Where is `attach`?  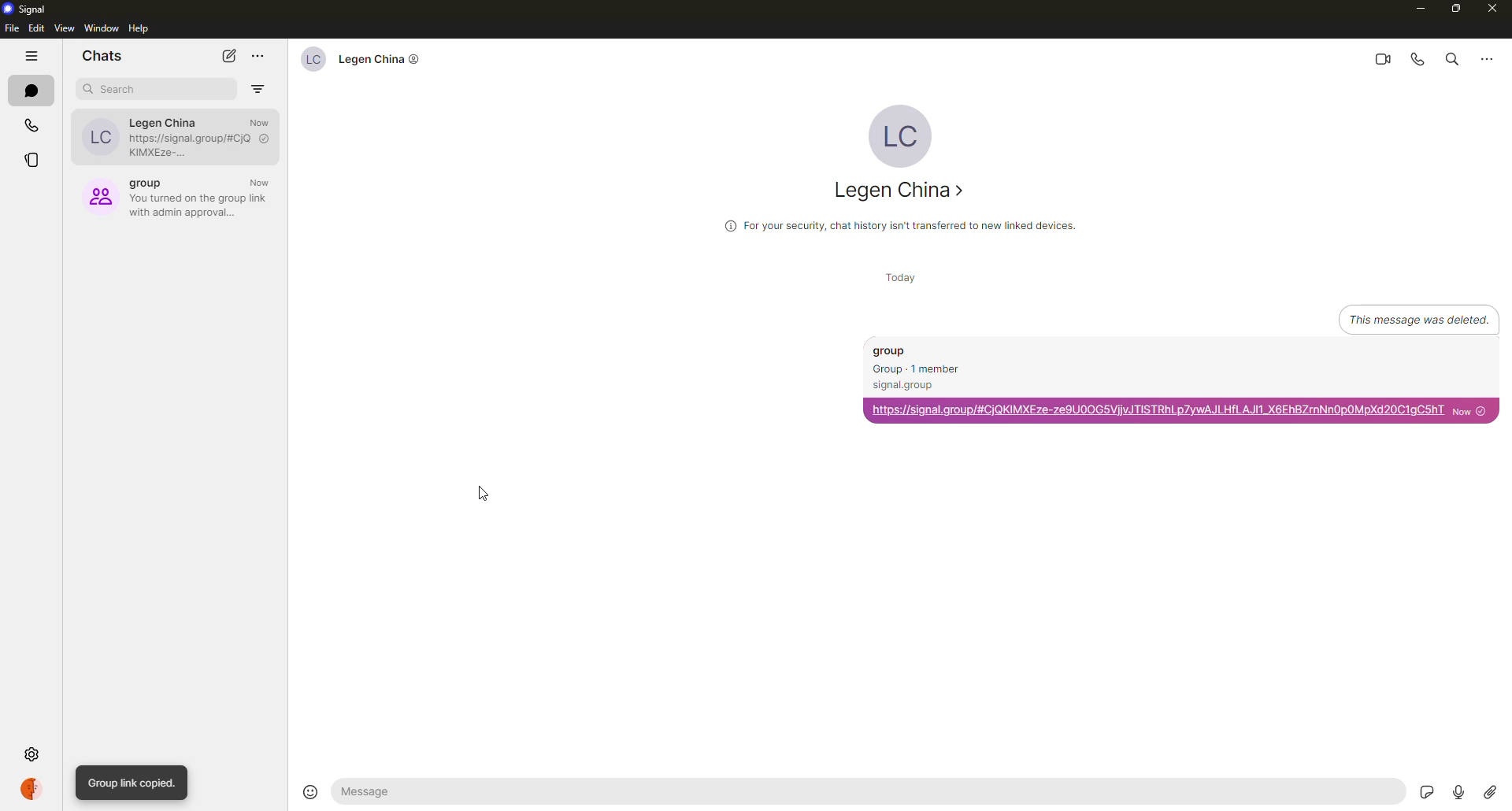 attach is located at coordinates (1490, 788).